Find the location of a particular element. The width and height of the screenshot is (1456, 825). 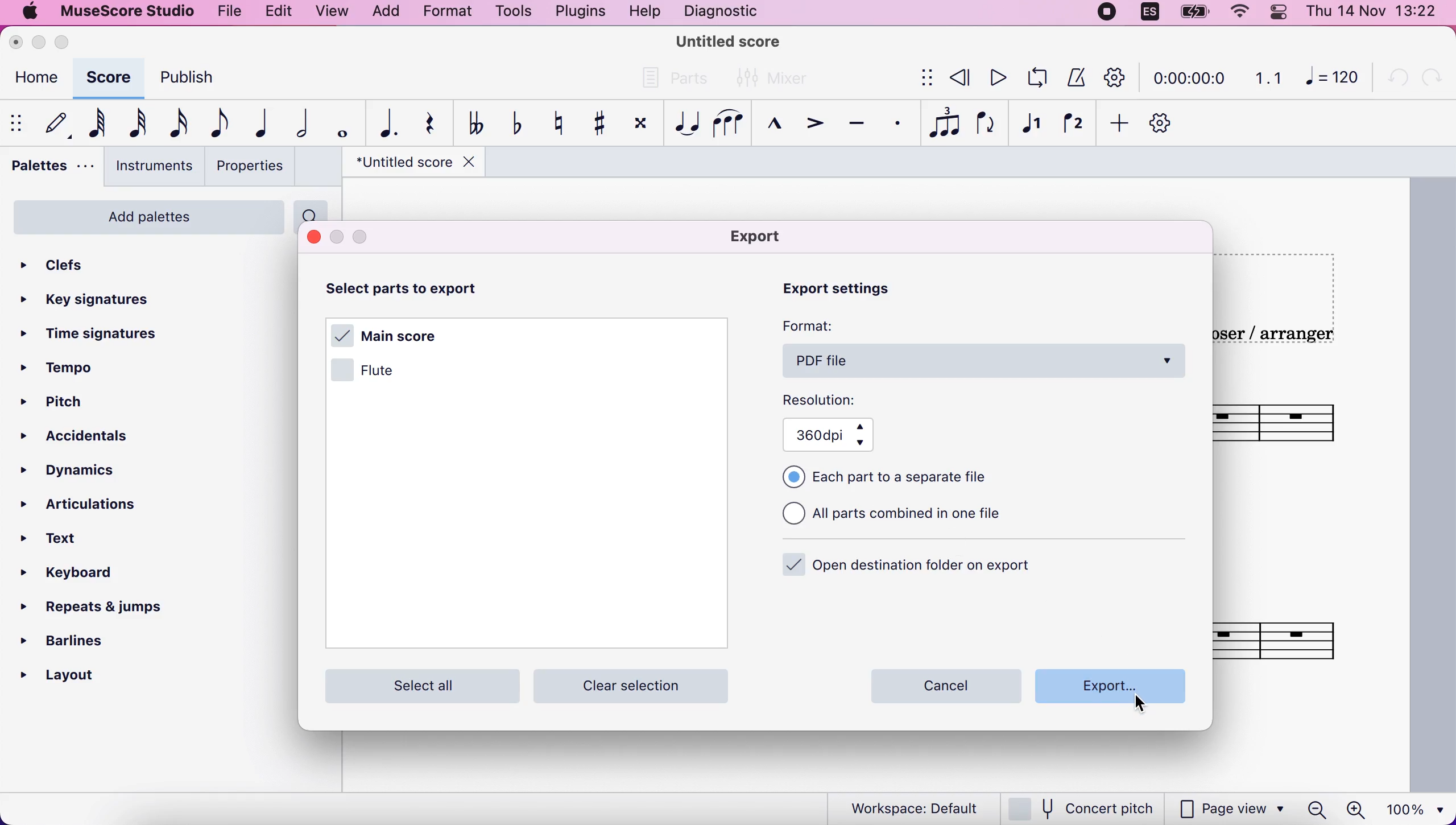

export is located at coordinates (766, 237).